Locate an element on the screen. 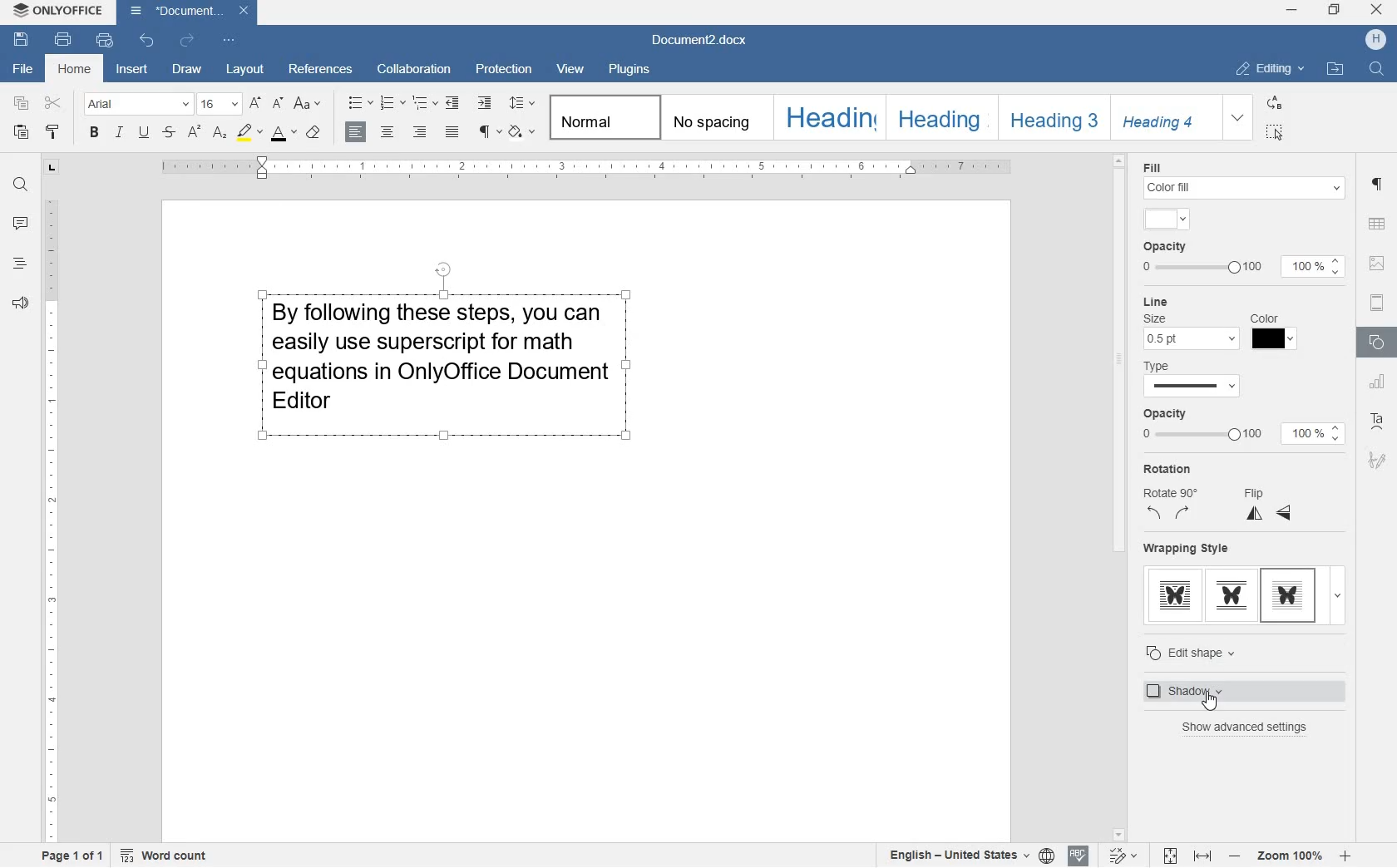 The width and height of the screenshot is (1397, 868). line type is located at coordinates (1204, 379).